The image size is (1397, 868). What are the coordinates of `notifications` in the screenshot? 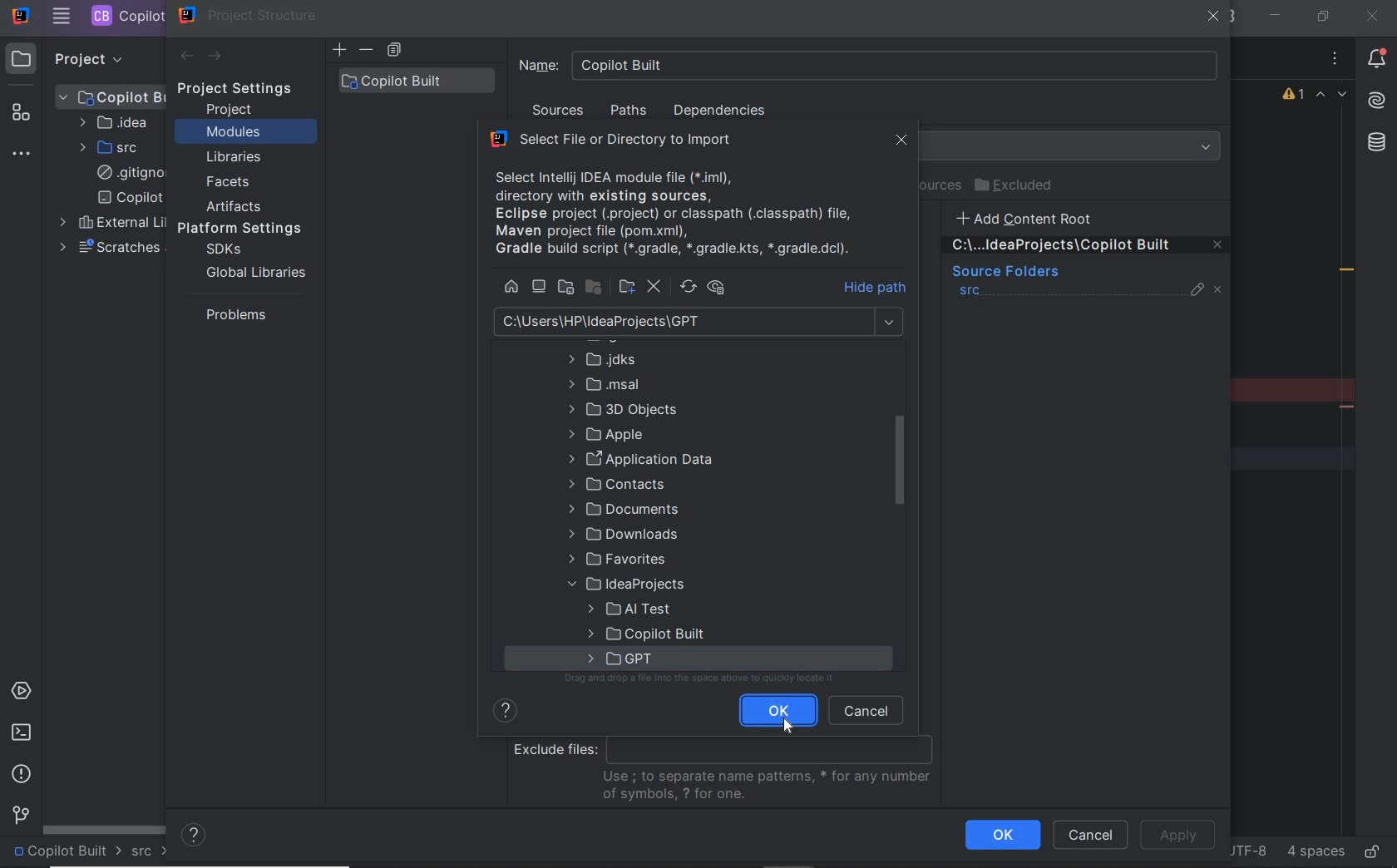 It's located at (1377, 61).